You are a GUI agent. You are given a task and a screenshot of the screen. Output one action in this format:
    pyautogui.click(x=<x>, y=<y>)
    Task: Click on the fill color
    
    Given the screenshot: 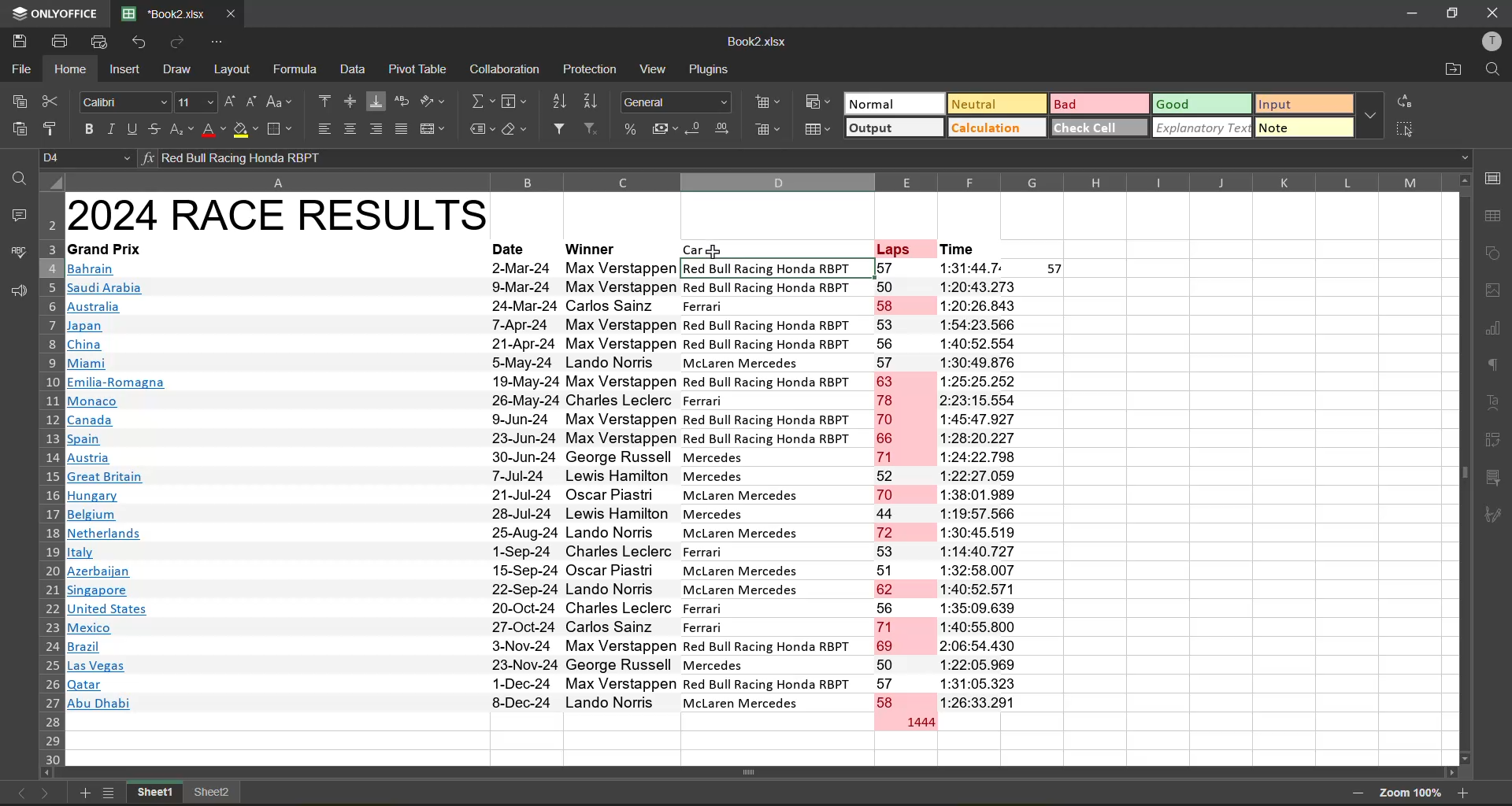 What is the action you would take?
    pyautogui.click(x=246, y=129)
    